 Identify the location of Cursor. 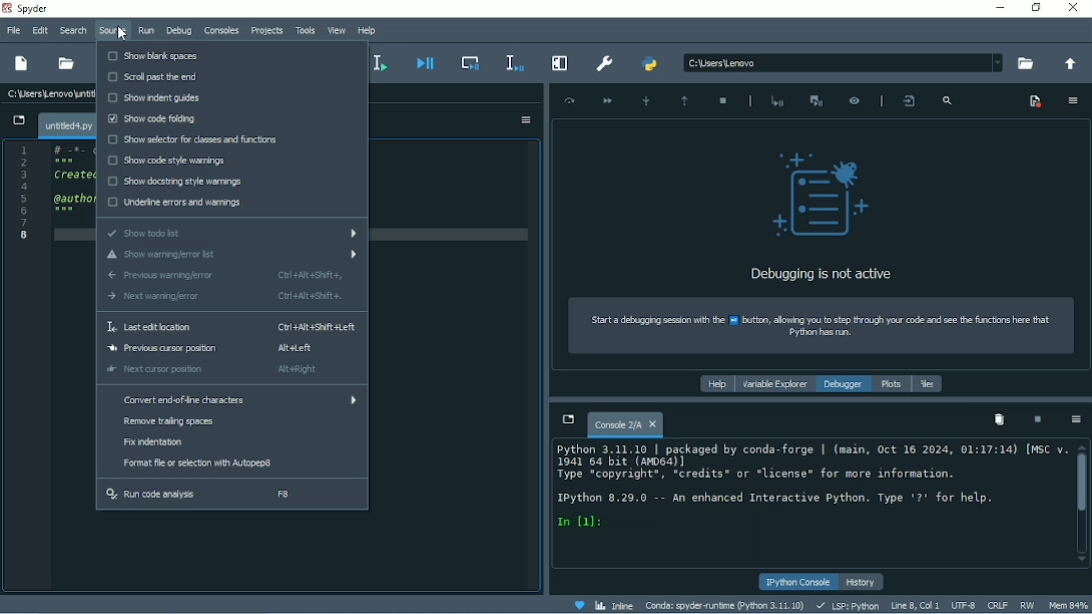
(123, 34).